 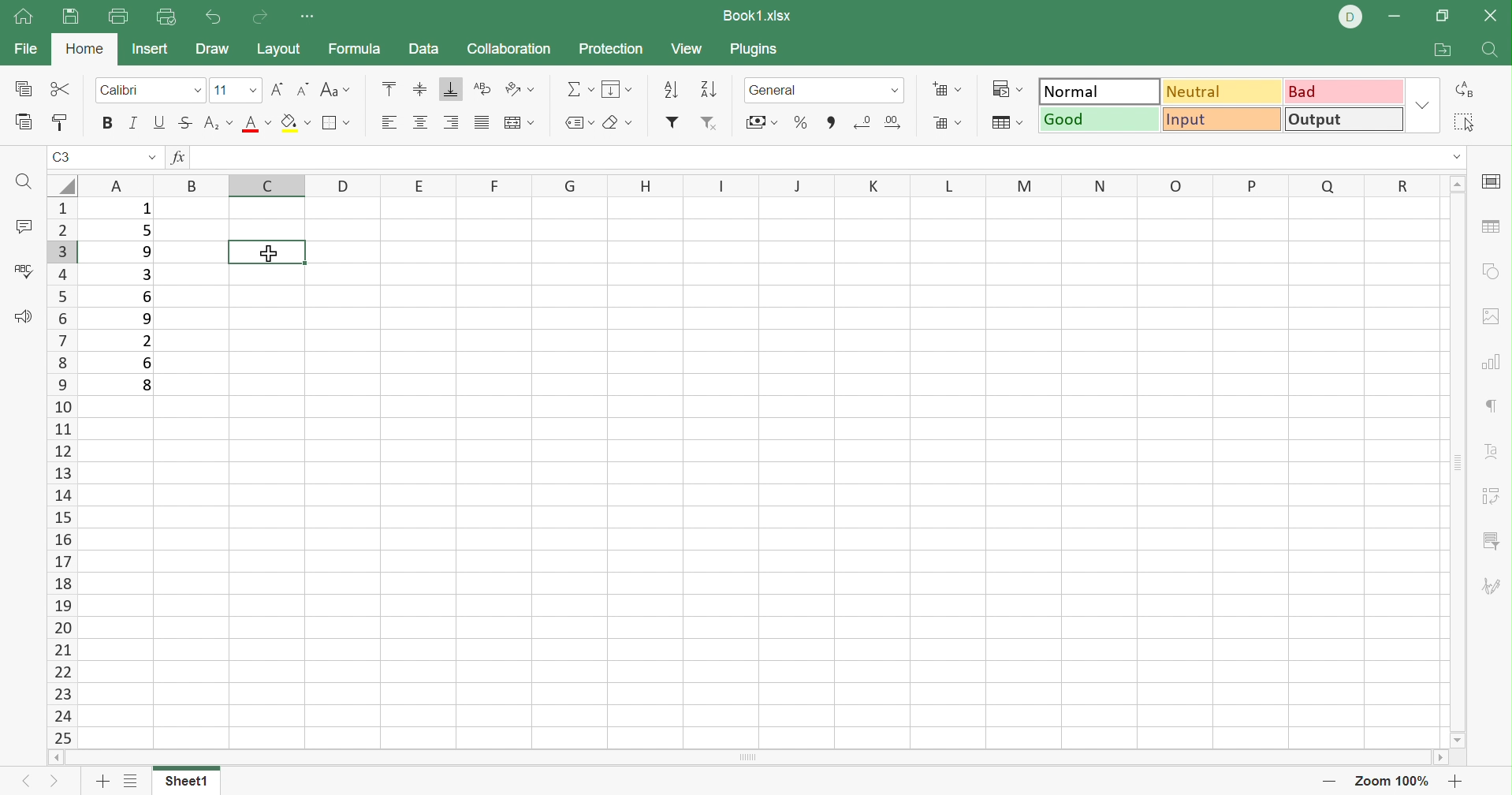 I want to click on Book1.xlsx, so click(x=758, y=17).